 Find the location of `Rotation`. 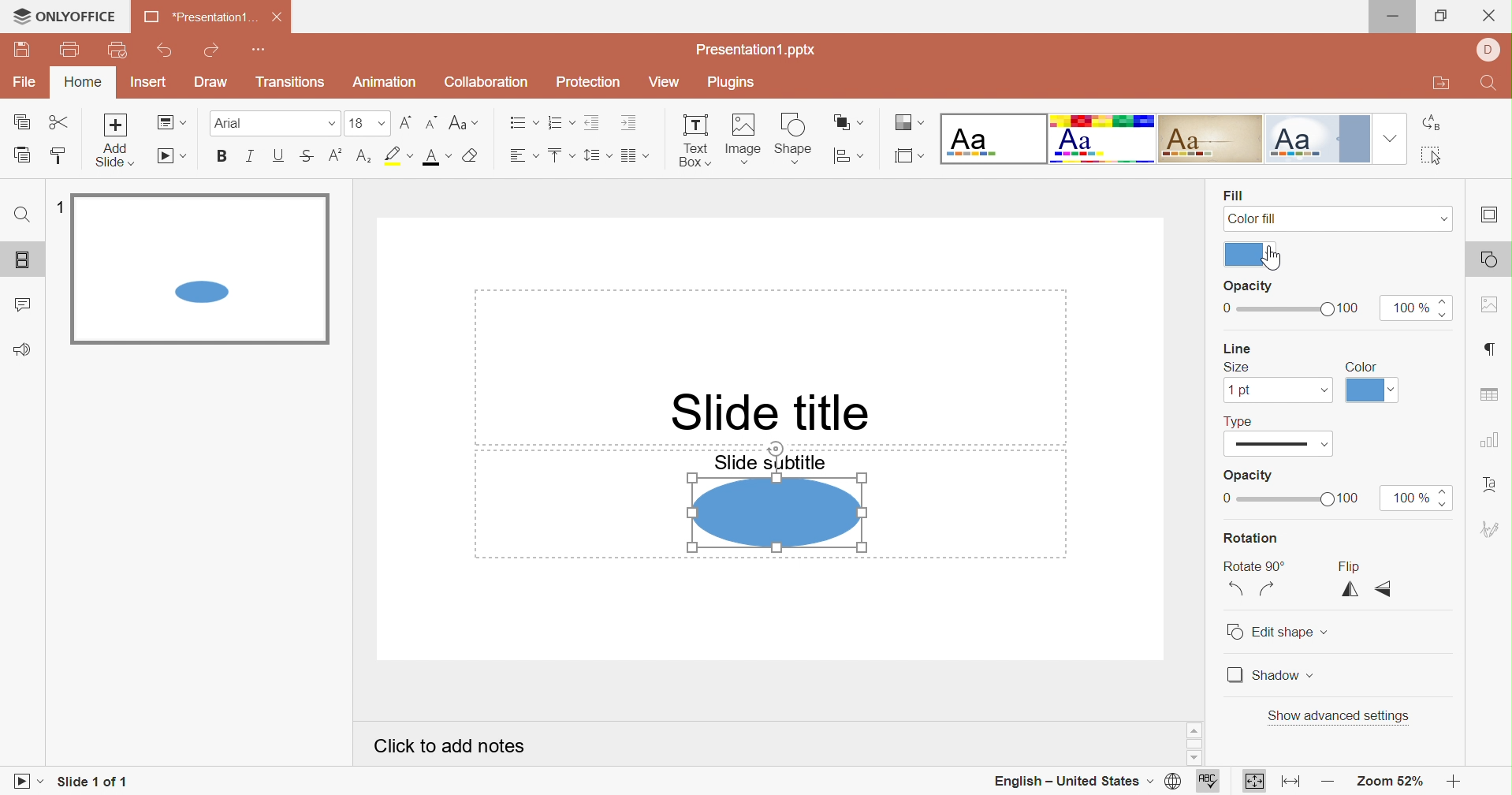

Rotation is located at coordinates (1252, 538).